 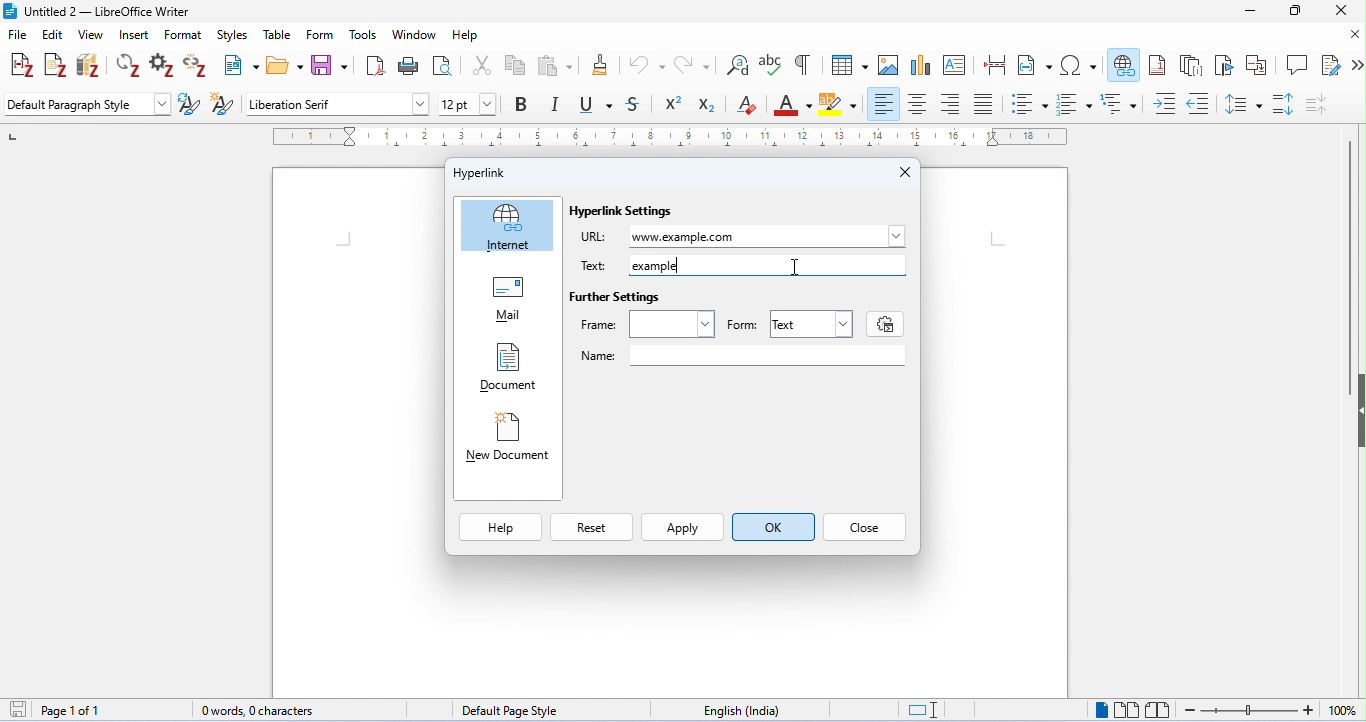 What do you see at coordinates (1347, 268) in the screenshot?
I see `vertical scroll bar` at bounding box center [1347, 268].